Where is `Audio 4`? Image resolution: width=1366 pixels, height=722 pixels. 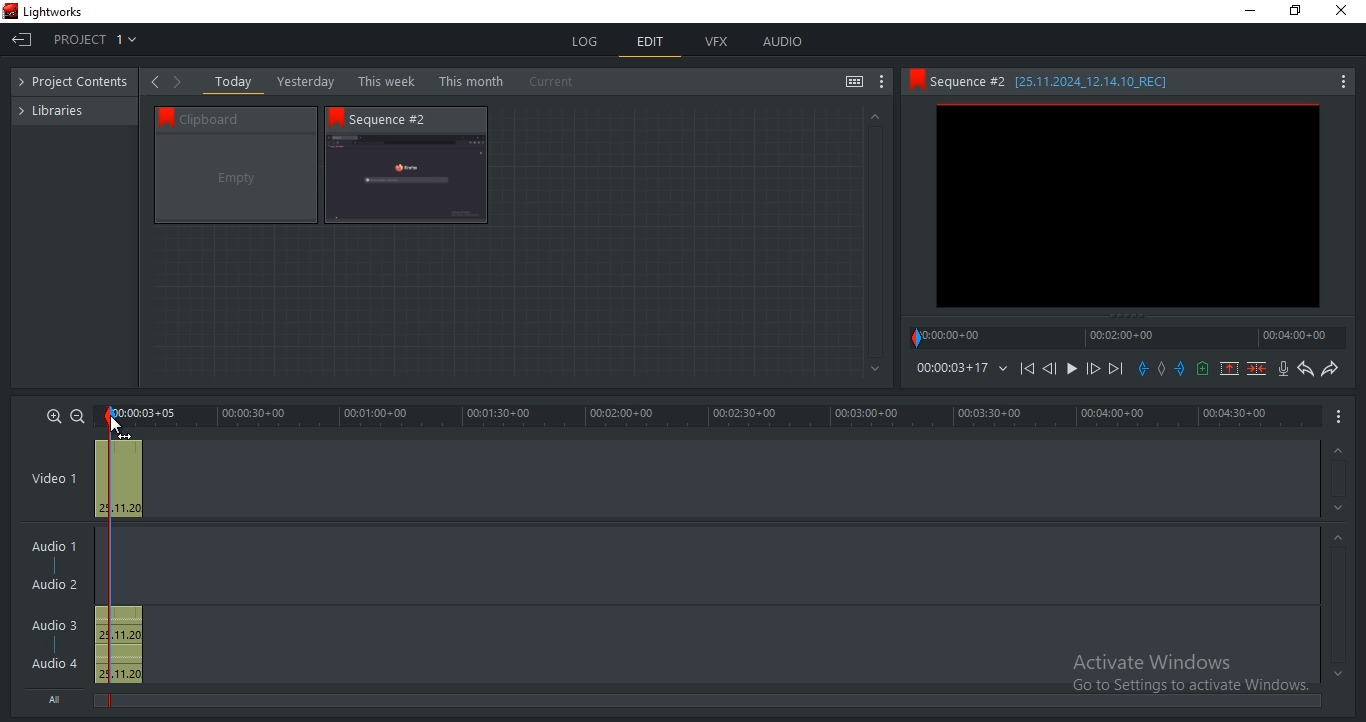
Audio 4 is located at coordinates (55, 662).